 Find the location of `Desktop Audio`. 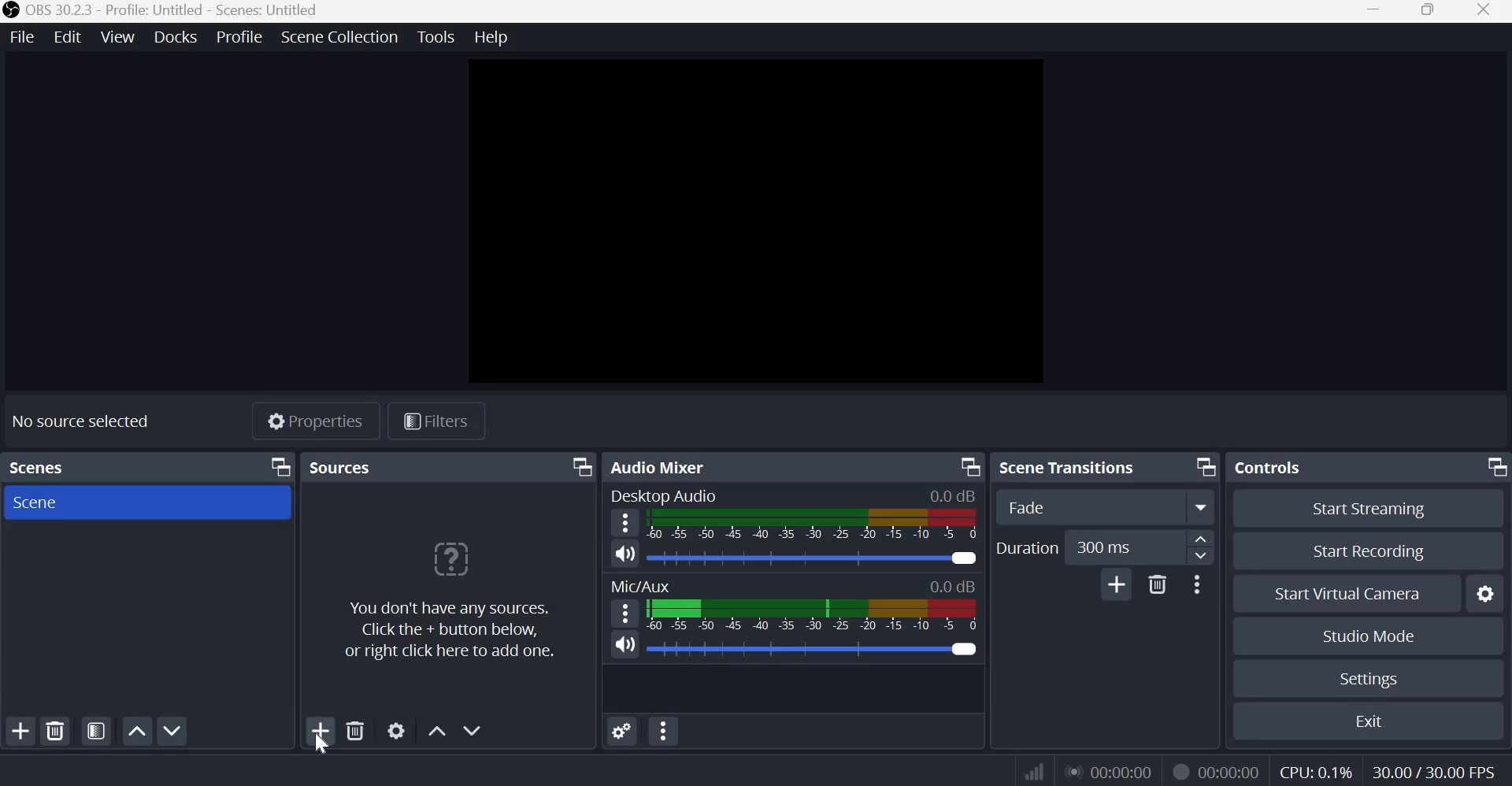

Desktop Audio is located at coordinates (665, 495).